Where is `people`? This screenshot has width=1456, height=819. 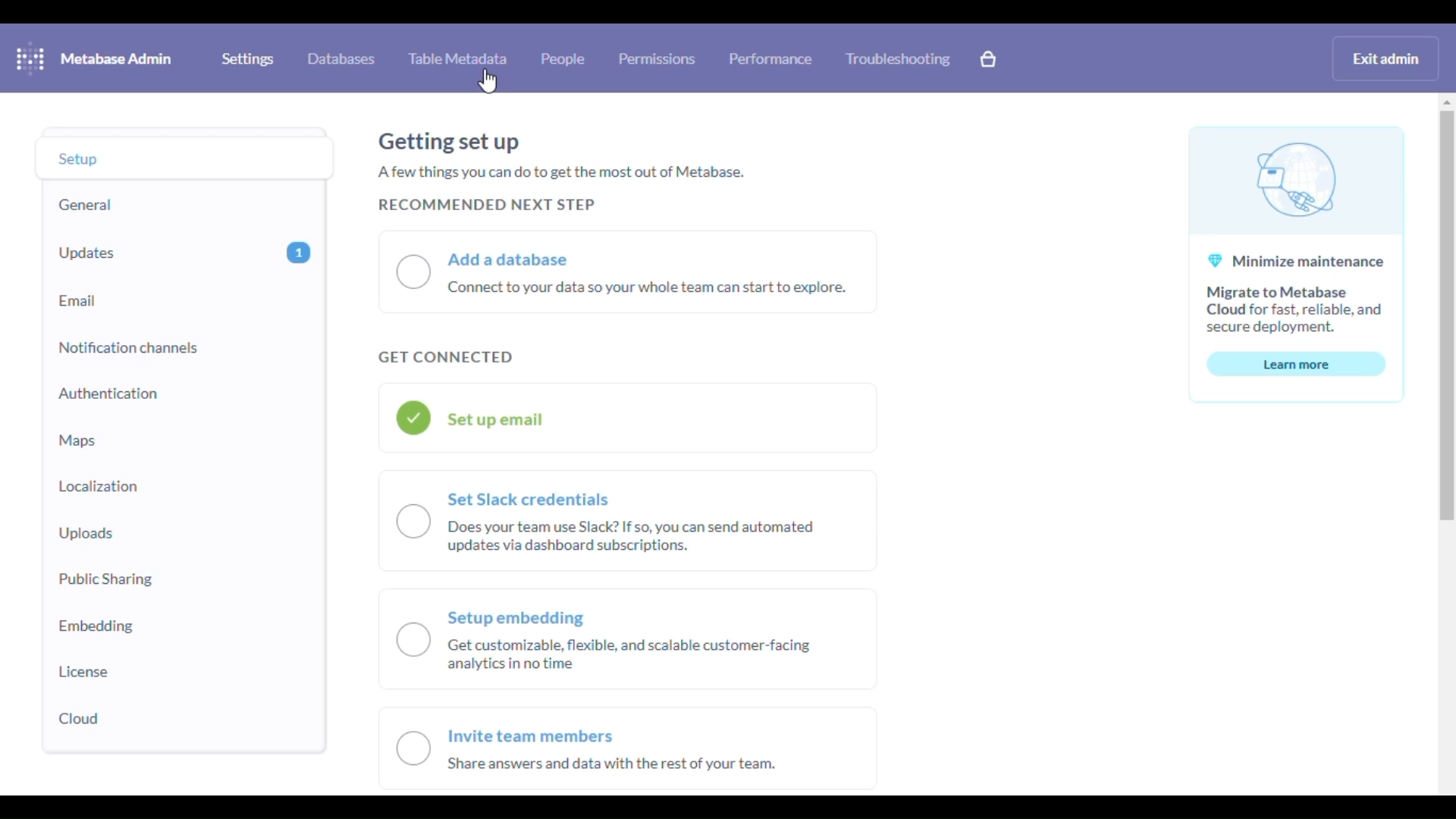 people is located at coordinates (563, 58).